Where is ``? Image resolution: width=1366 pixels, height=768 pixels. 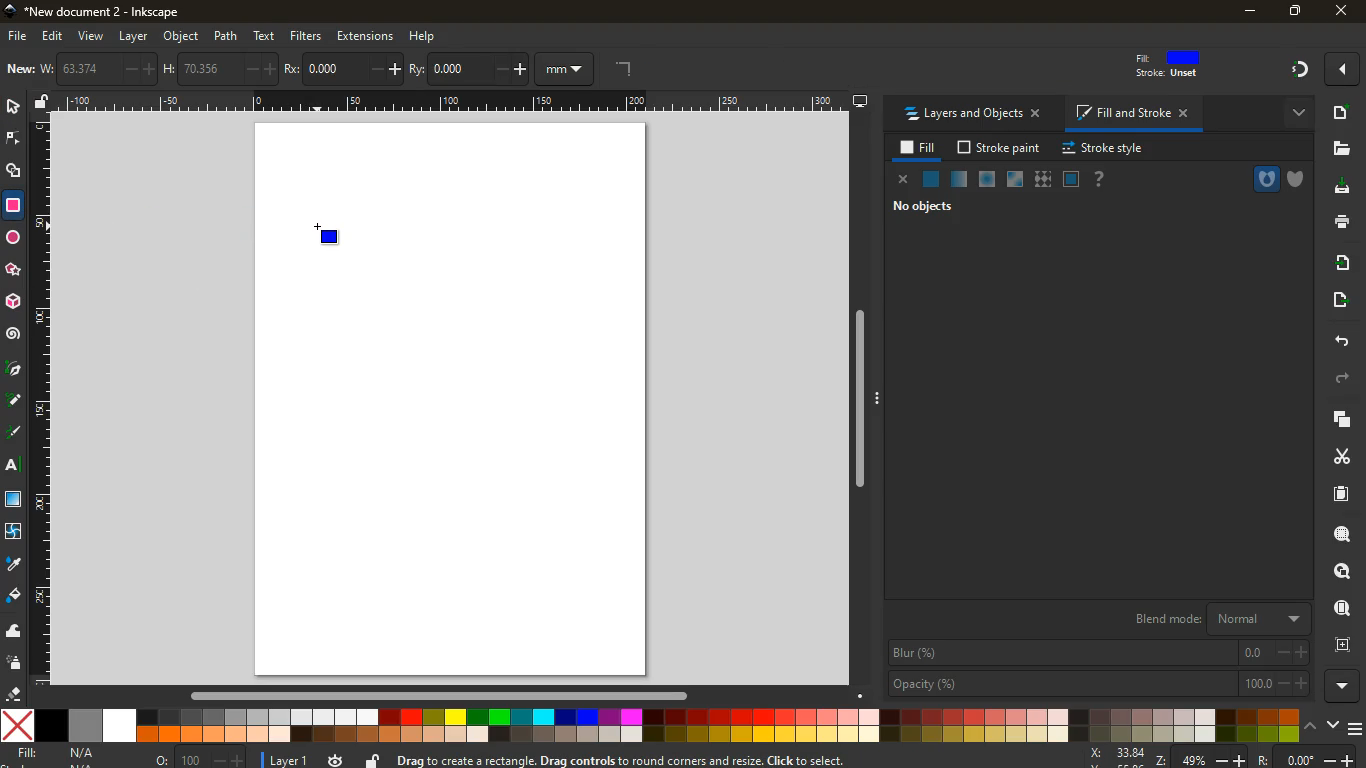
 is located at coordinates (857, 399).